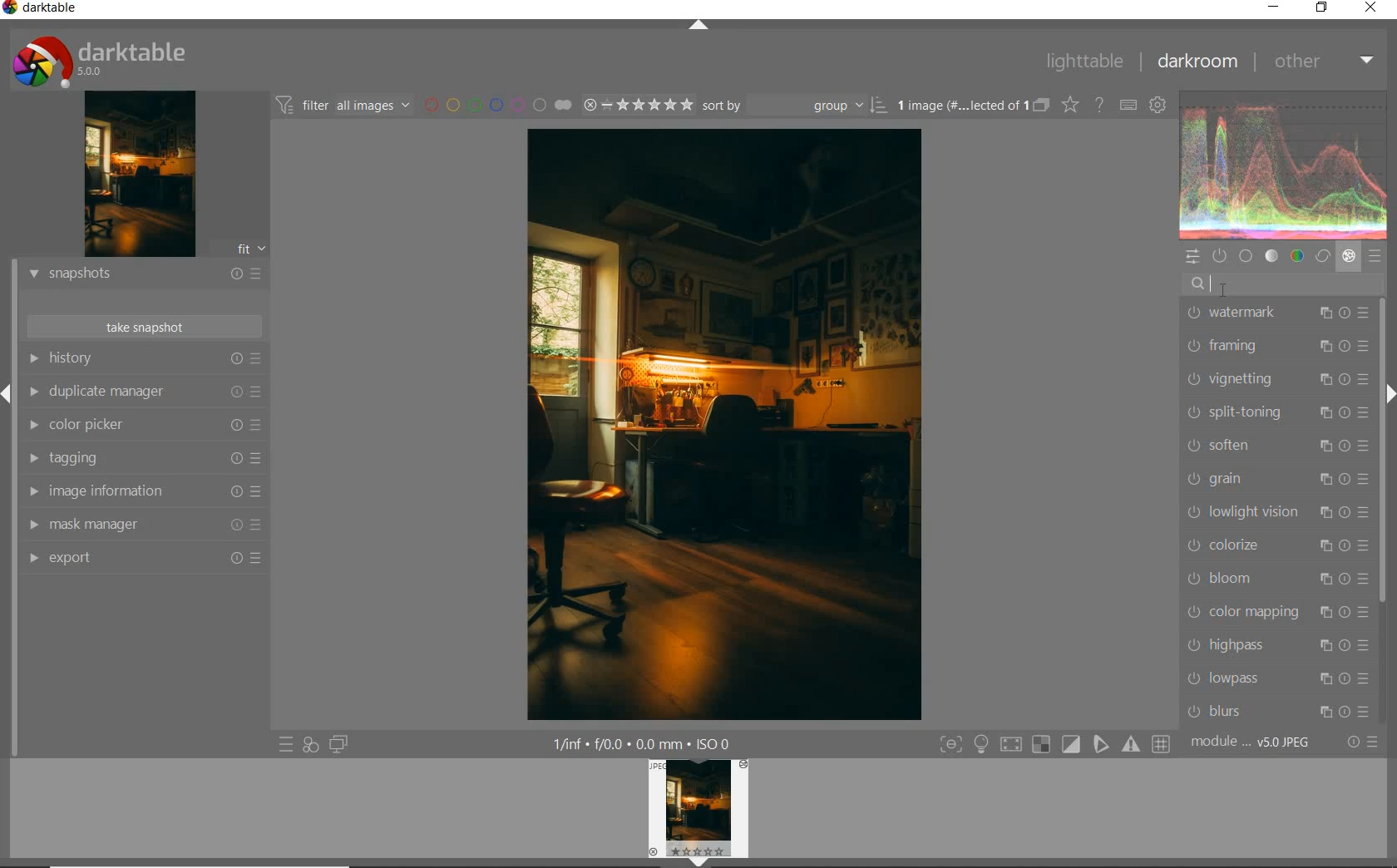  What do you see at coordinates (1069, 106) in the screenshot?
I see `change overlays shown on thumbnails` at bounding box center [1069, 106].